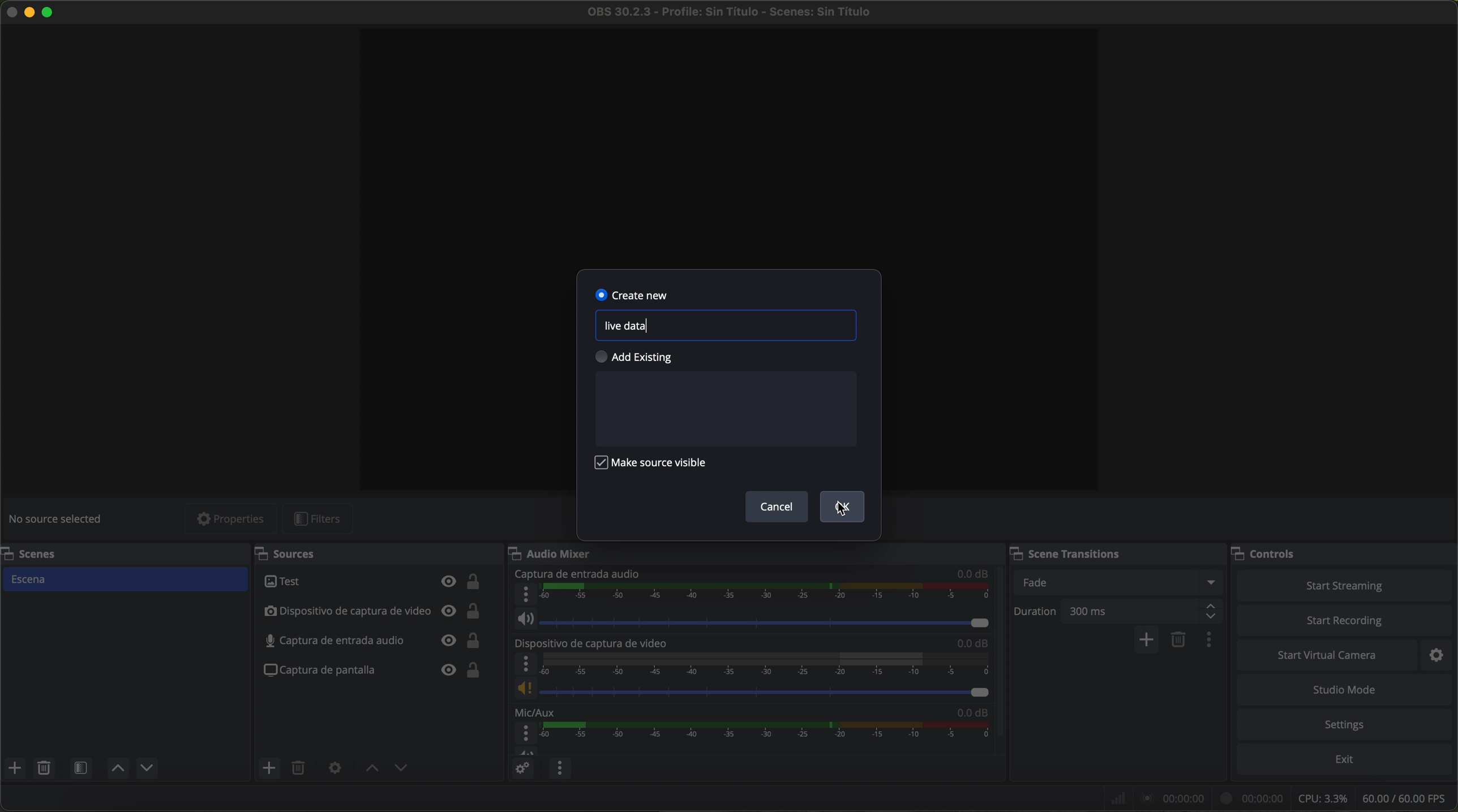  Describe the element at coordinates (725, 409) in the screenshot. I see `space to text` at that location.